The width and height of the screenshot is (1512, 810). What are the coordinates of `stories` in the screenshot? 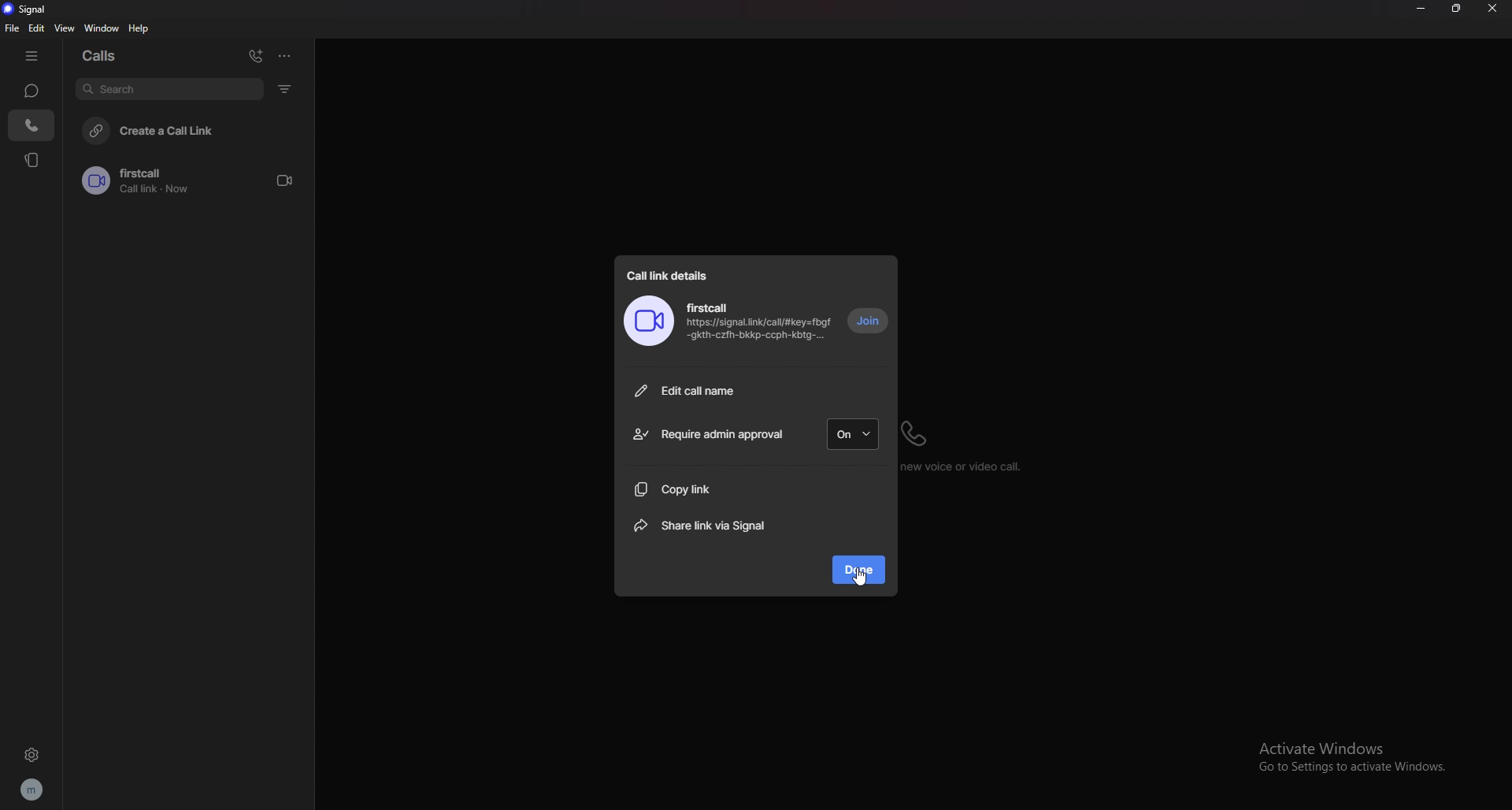 It's located at (33, 159).